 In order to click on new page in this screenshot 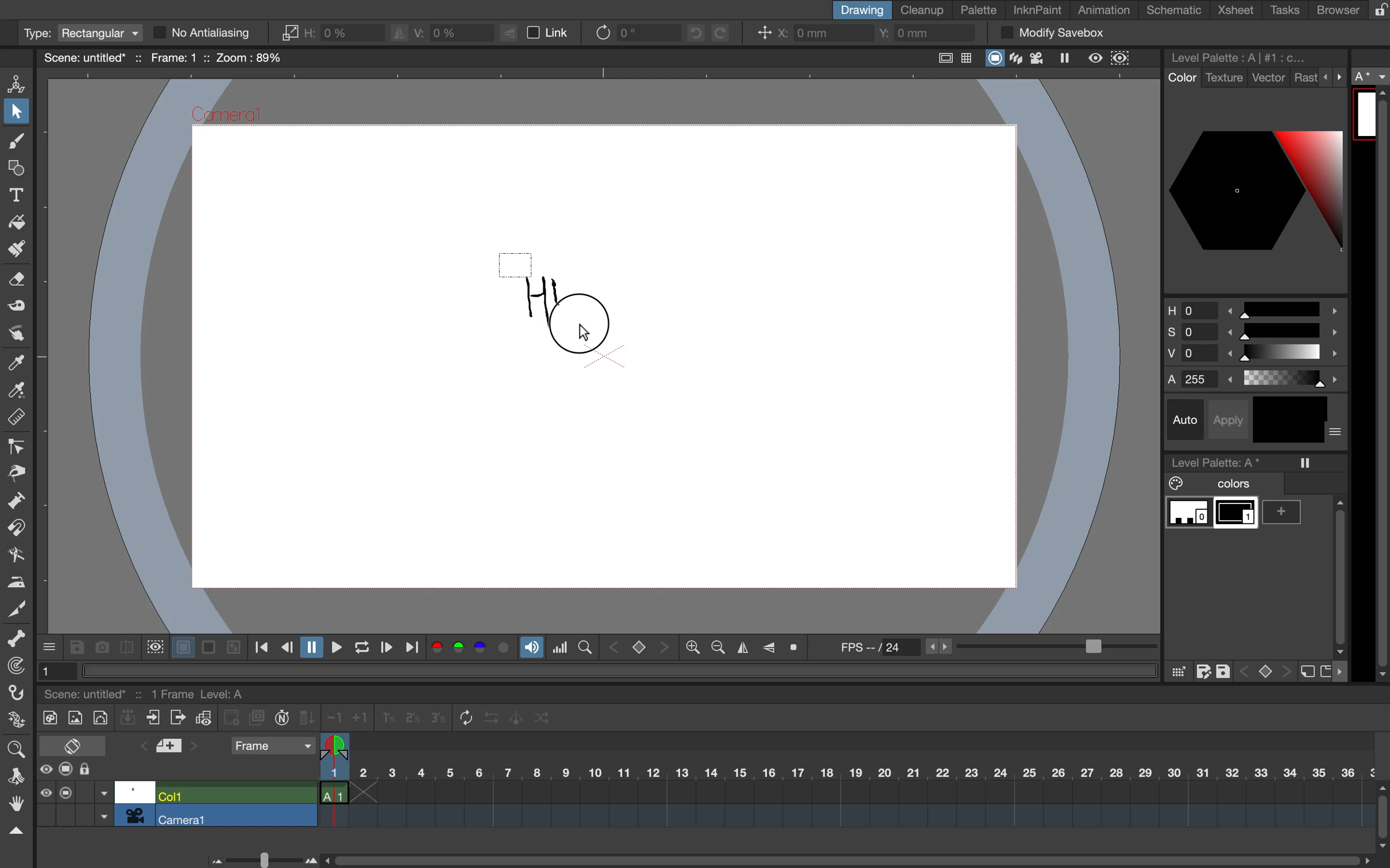, I will do `click(1325, 670)`.